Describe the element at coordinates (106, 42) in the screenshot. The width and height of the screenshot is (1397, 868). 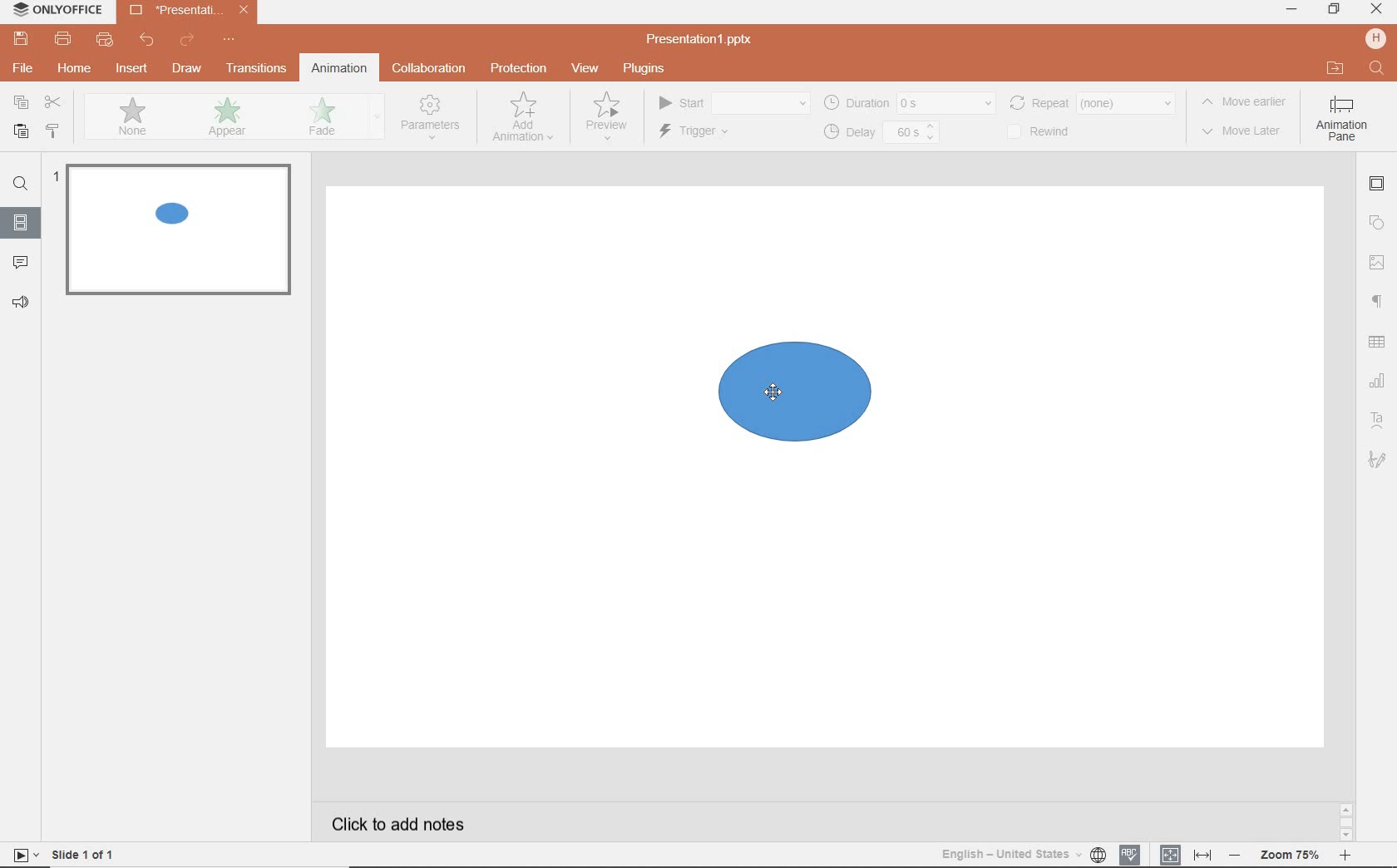
I see `quick print` at that location.